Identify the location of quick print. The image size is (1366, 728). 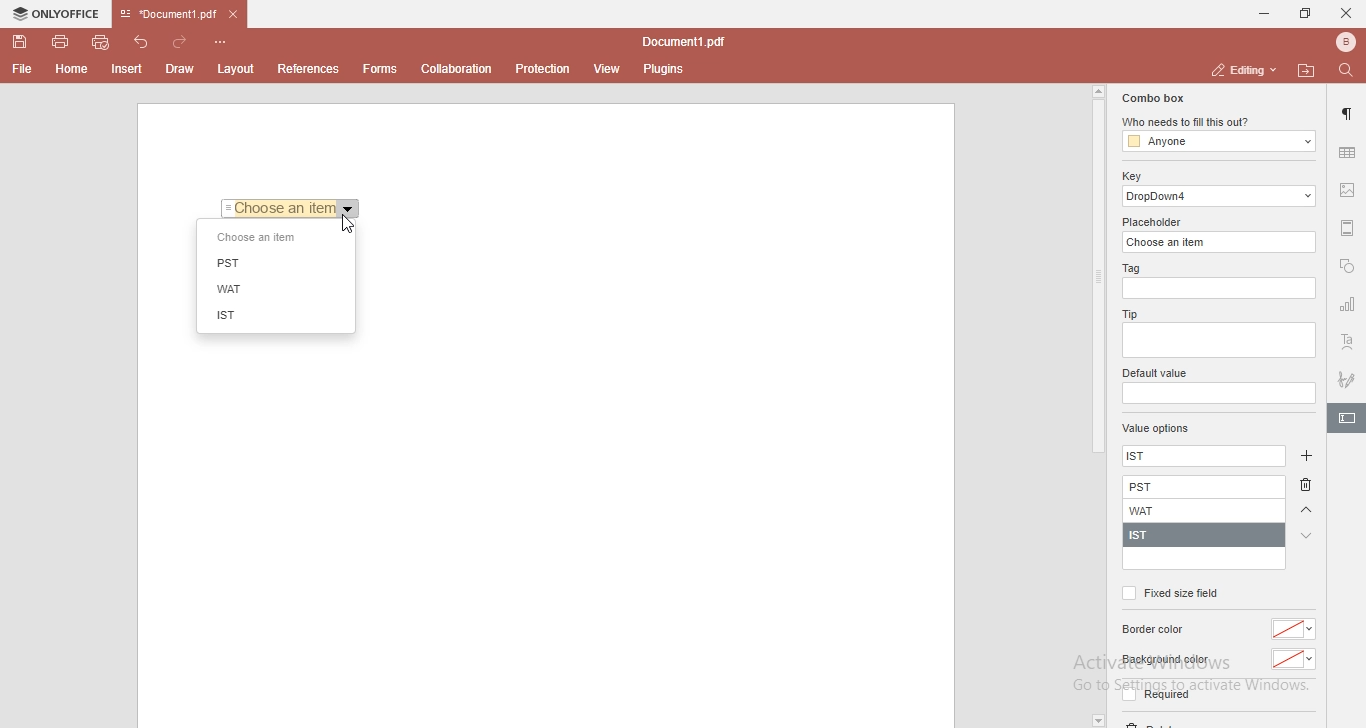
(102, 41).